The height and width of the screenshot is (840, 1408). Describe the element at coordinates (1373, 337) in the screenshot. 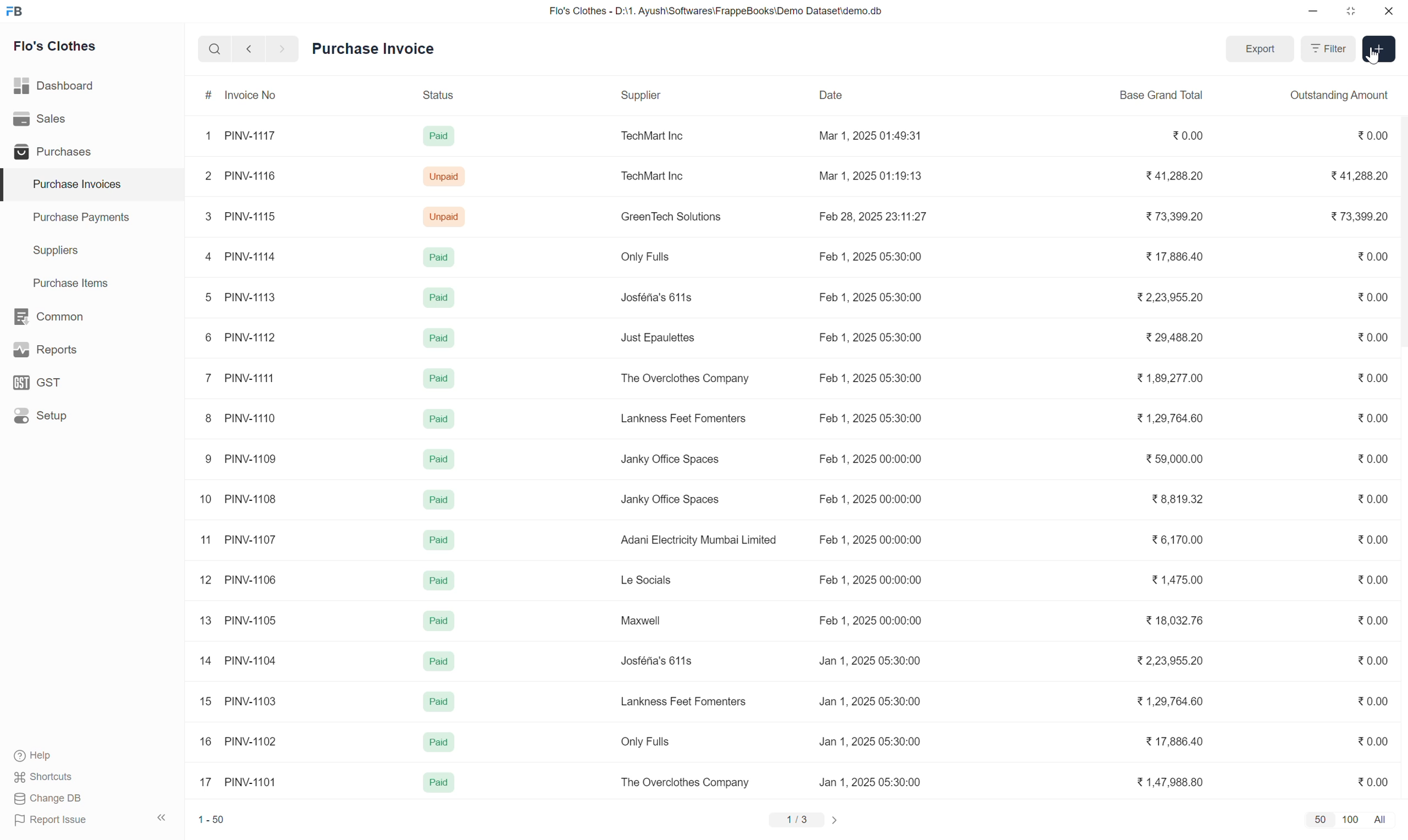

I see `0.00` at that location.